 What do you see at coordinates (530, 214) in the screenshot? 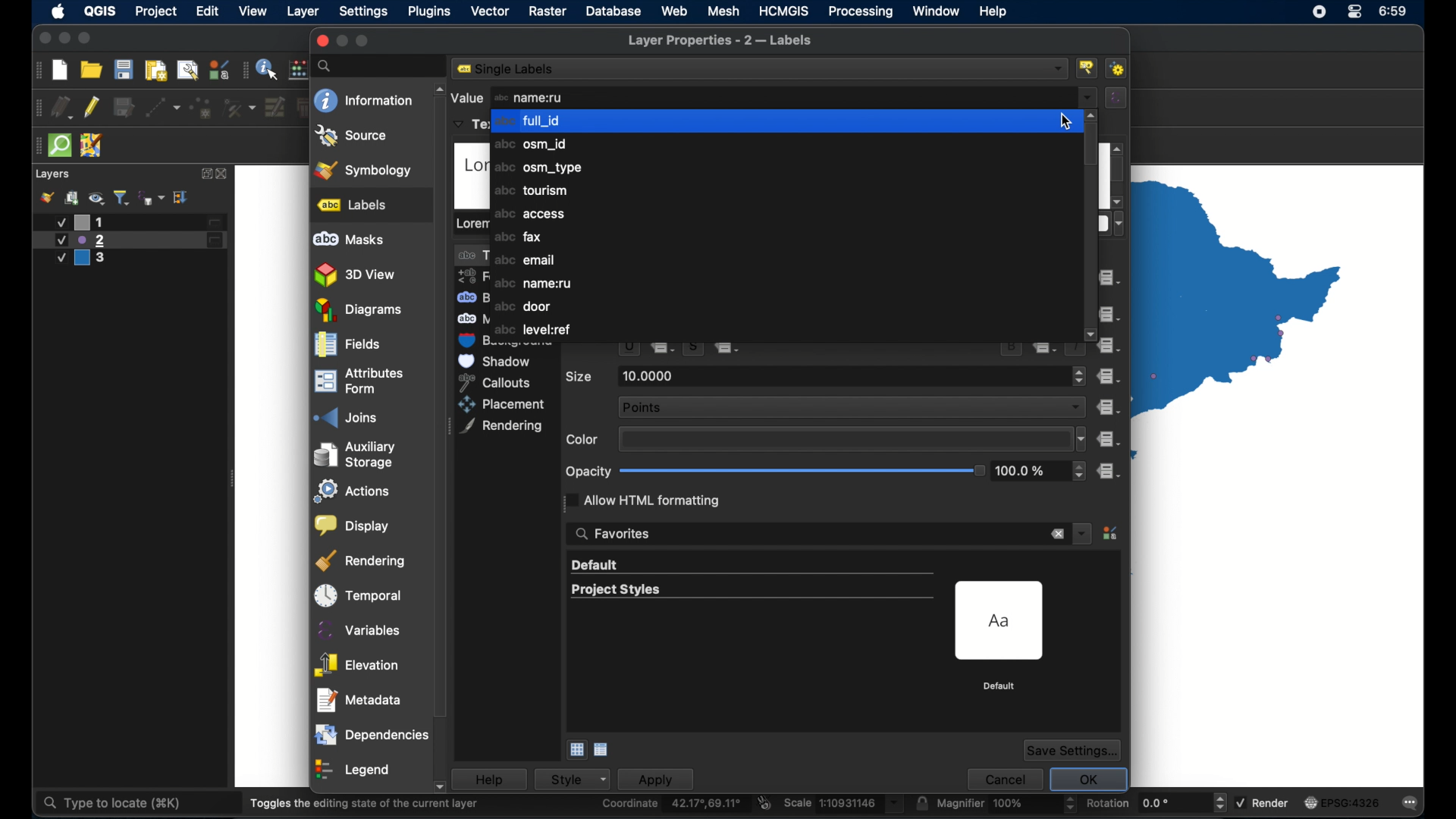
I see `access` at bounding box center [530, 214].